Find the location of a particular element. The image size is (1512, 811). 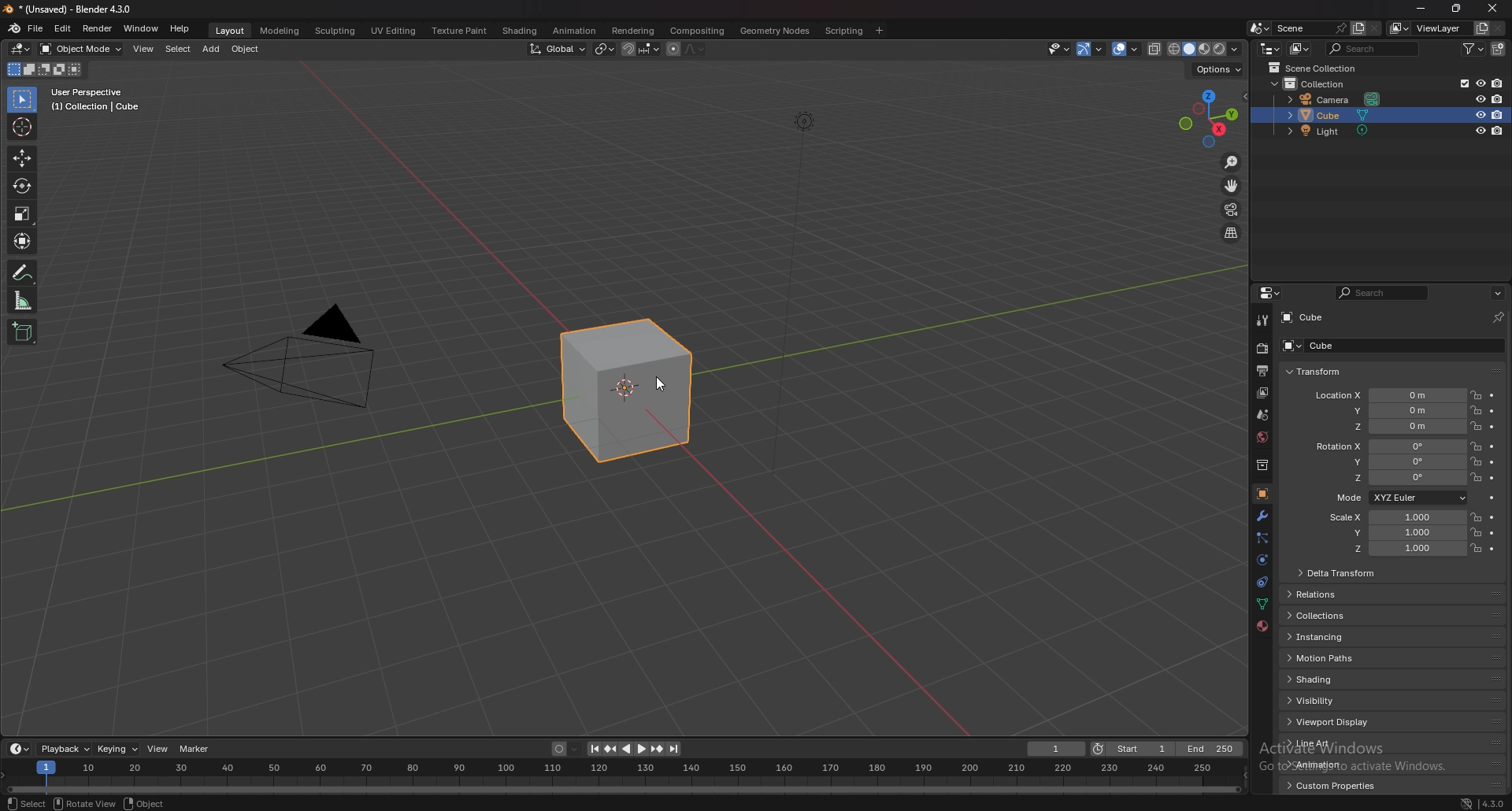

custom properties is located at coordinates (1339, 785).